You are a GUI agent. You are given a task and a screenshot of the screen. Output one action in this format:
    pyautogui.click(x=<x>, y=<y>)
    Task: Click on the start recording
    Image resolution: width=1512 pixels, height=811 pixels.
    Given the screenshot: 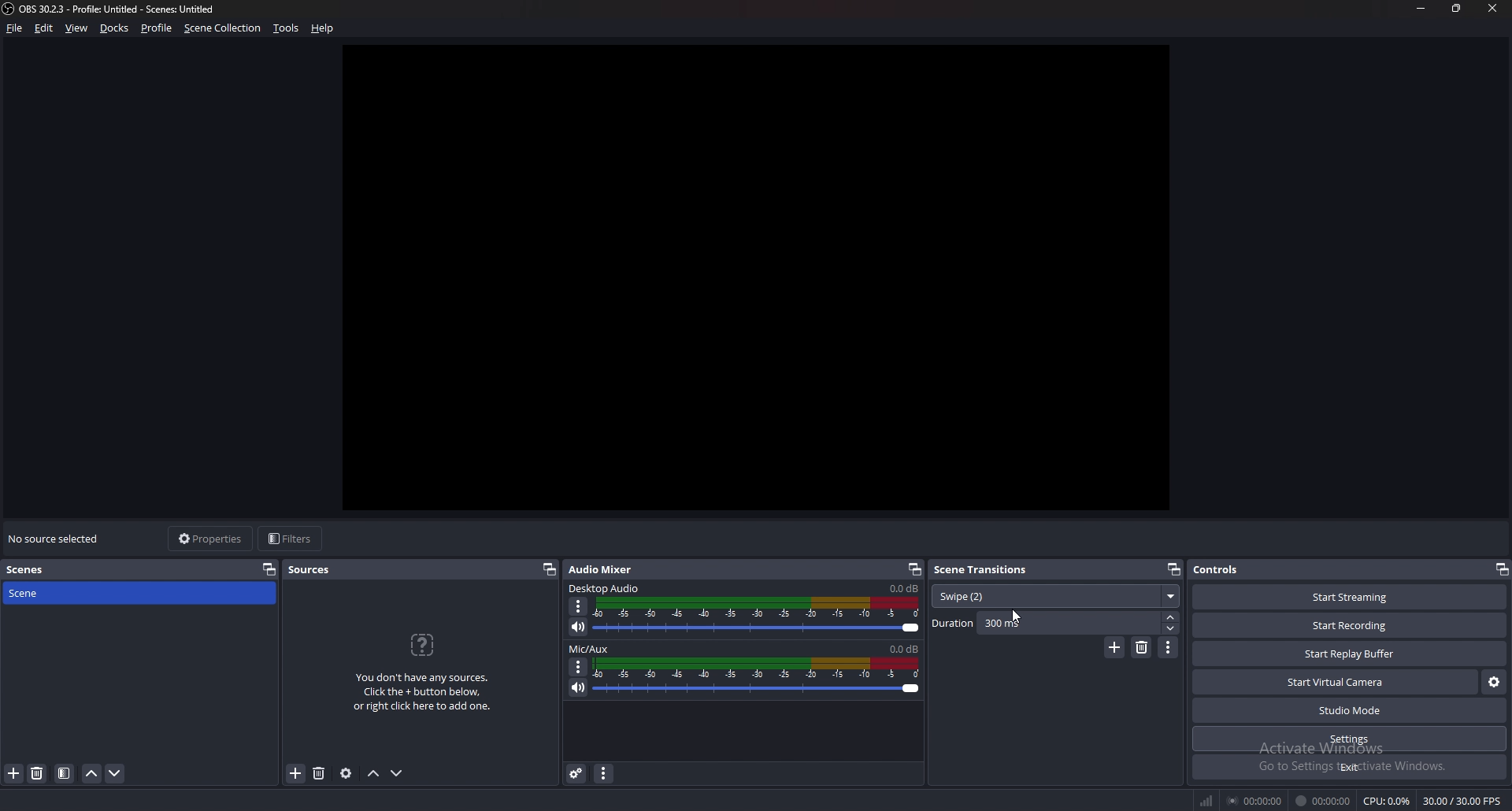 What is the action you would take?
    pyautogui.click(x=1349, y=626)
    